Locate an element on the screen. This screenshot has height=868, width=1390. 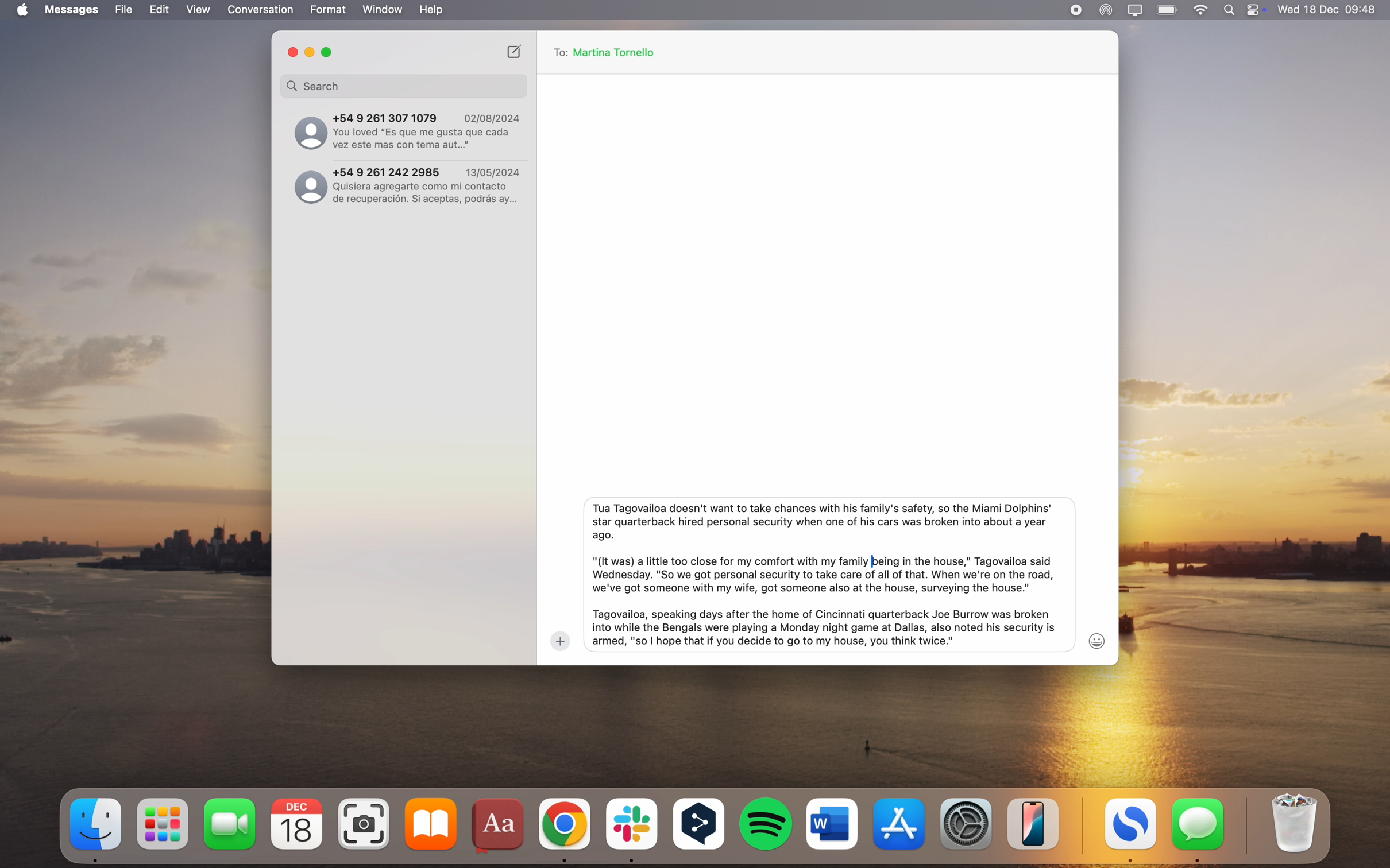
screenshot is located at coordinates (366, 824).